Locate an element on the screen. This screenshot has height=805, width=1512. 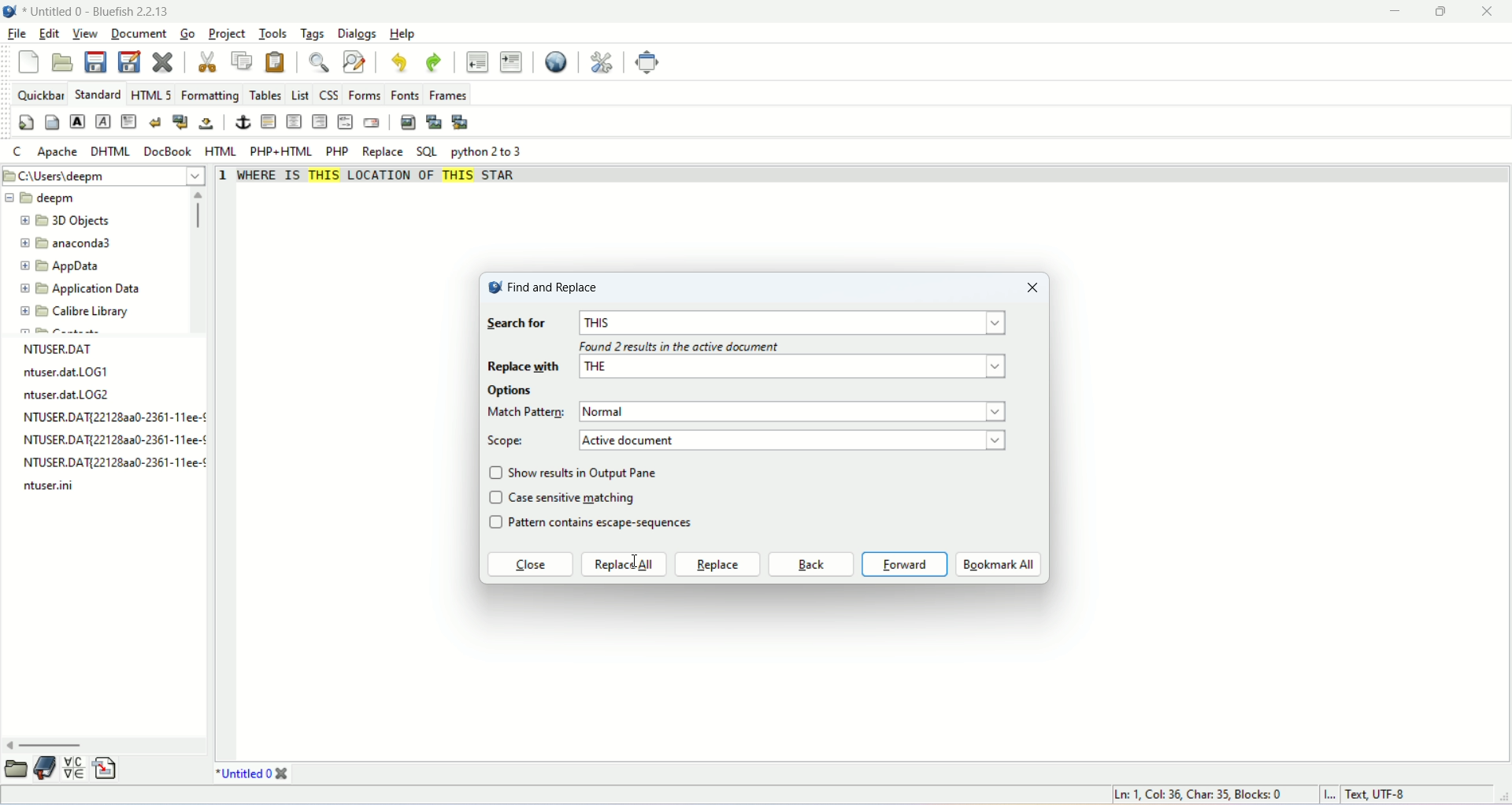
project is located at coordinates (227, 34).